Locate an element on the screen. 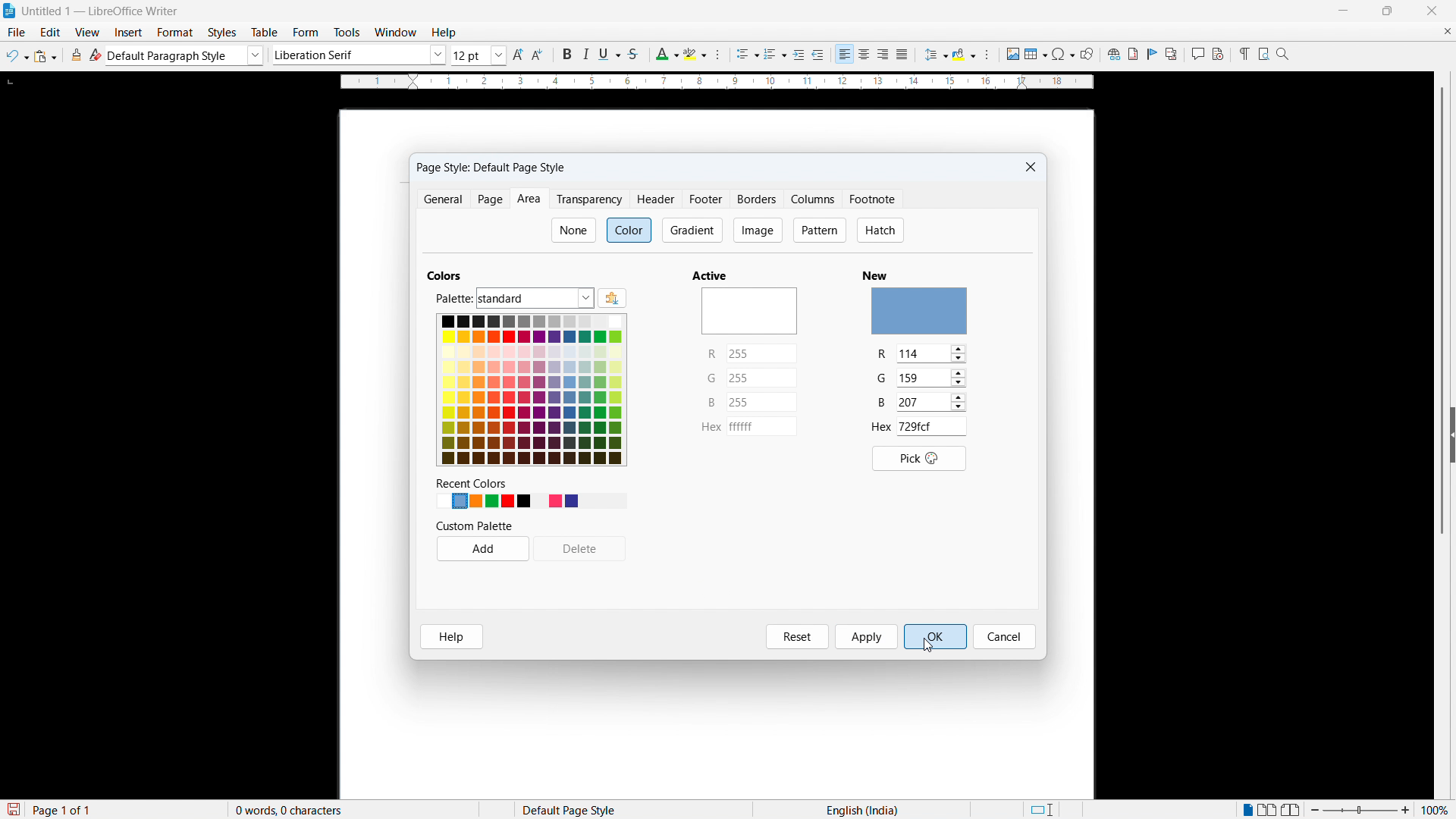 The width and height of the screenshot is (1456, 819). Undo  is located at coordinates (17, 56).